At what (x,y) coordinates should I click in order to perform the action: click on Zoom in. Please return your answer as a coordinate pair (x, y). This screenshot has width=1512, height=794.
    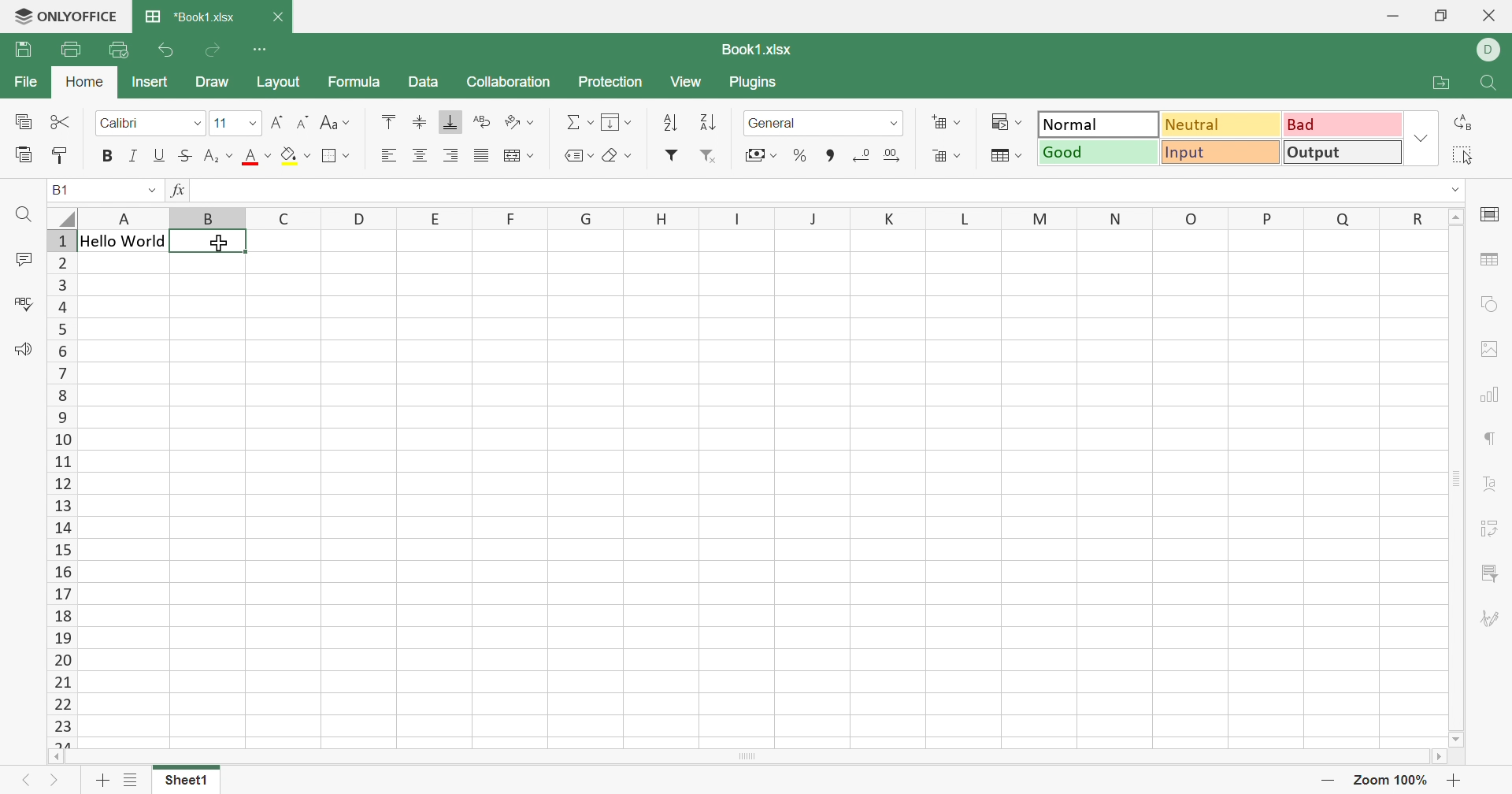
    Looking at the image, I should click on (1454, 781).